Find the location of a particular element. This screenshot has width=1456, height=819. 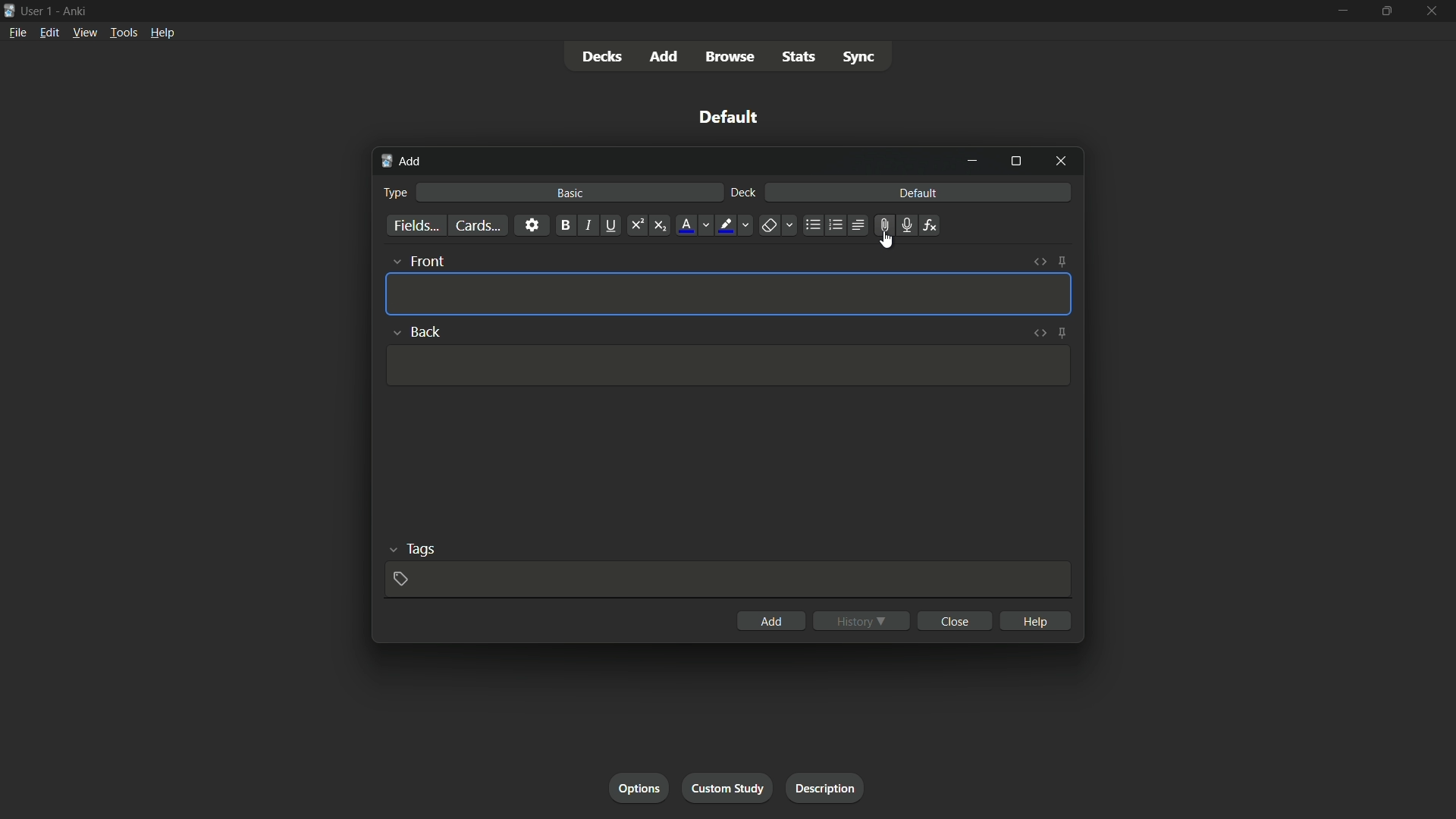

type is located at coordinates (396, 192).